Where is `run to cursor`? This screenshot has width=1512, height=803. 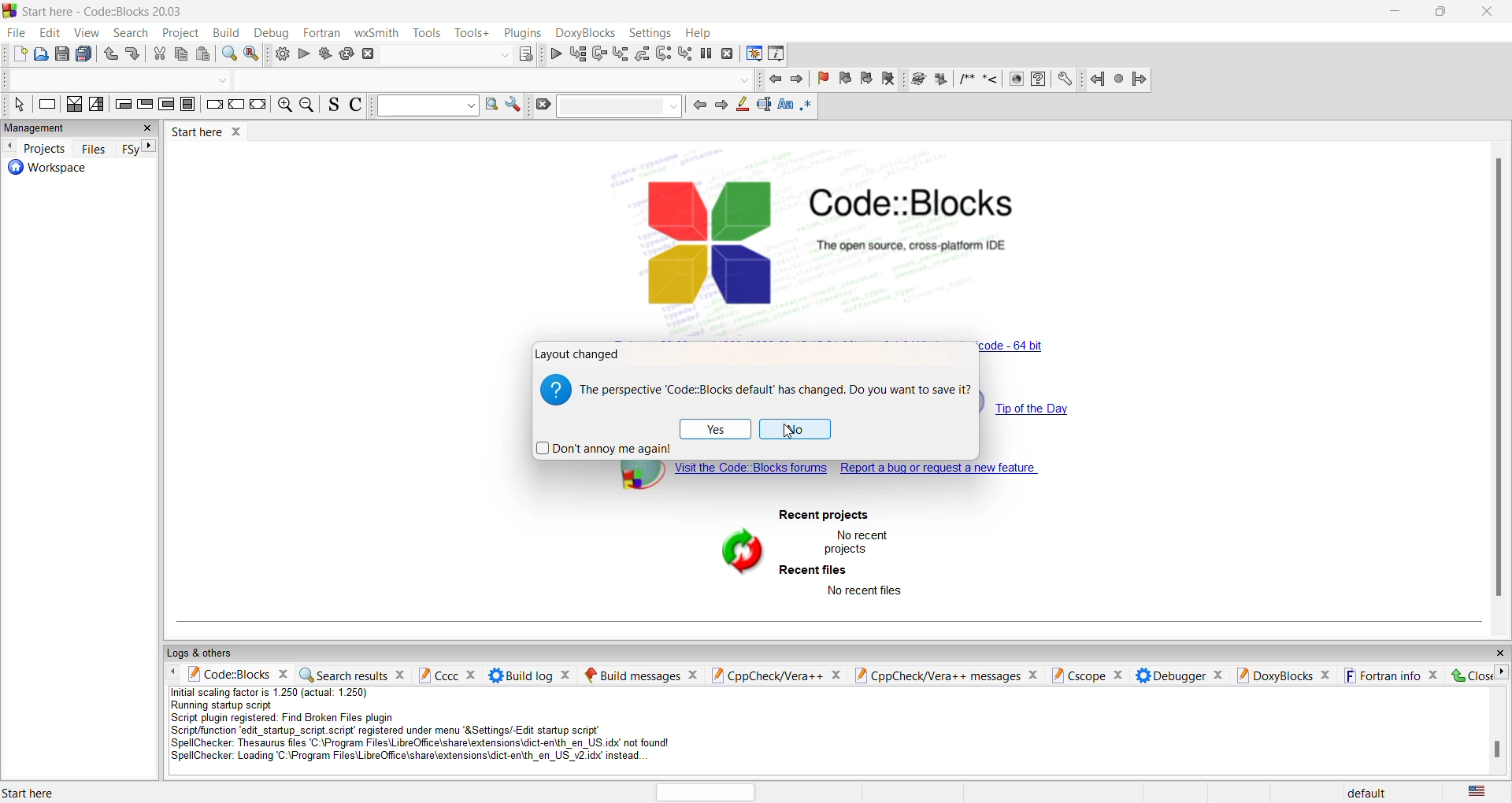 run to cursor is located at coordinates (578, 54).